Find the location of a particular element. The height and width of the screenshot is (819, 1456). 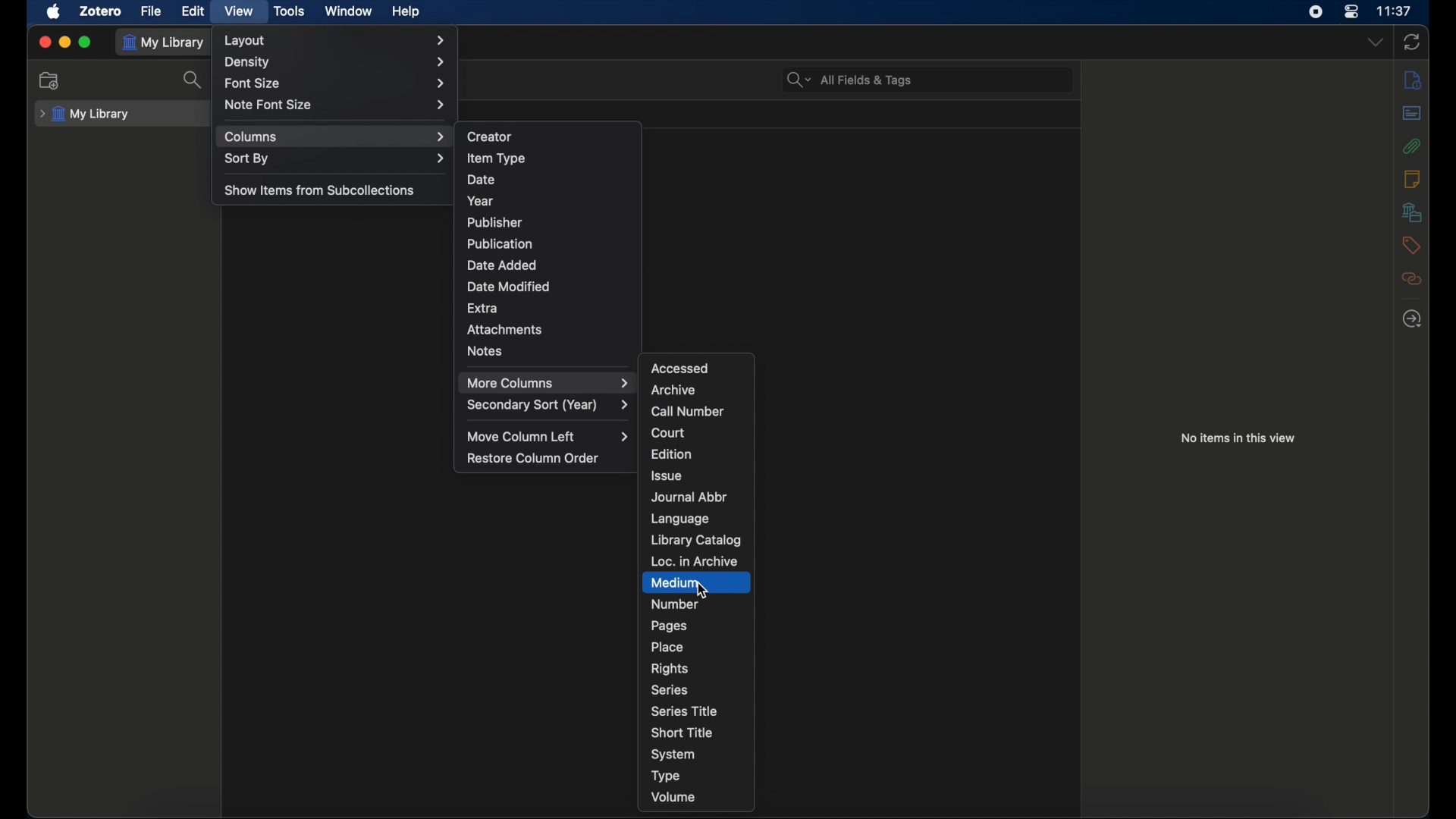

sort by is located at coordinates (334, 158).